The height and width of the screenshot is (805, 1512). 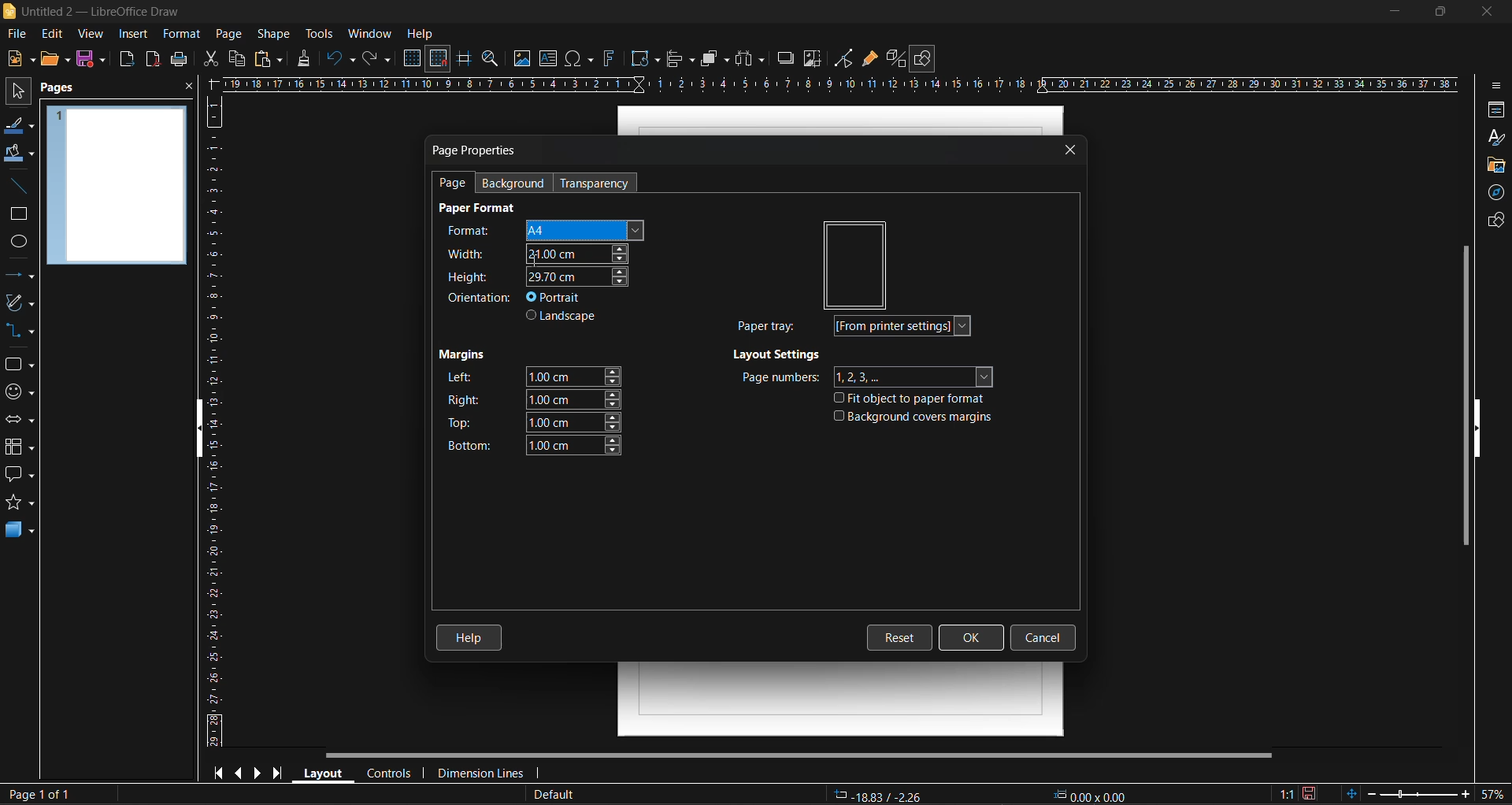 What do you see at coordinates (533, 276) in the screenshot?
I see `height` at bounding box center [533, 276].